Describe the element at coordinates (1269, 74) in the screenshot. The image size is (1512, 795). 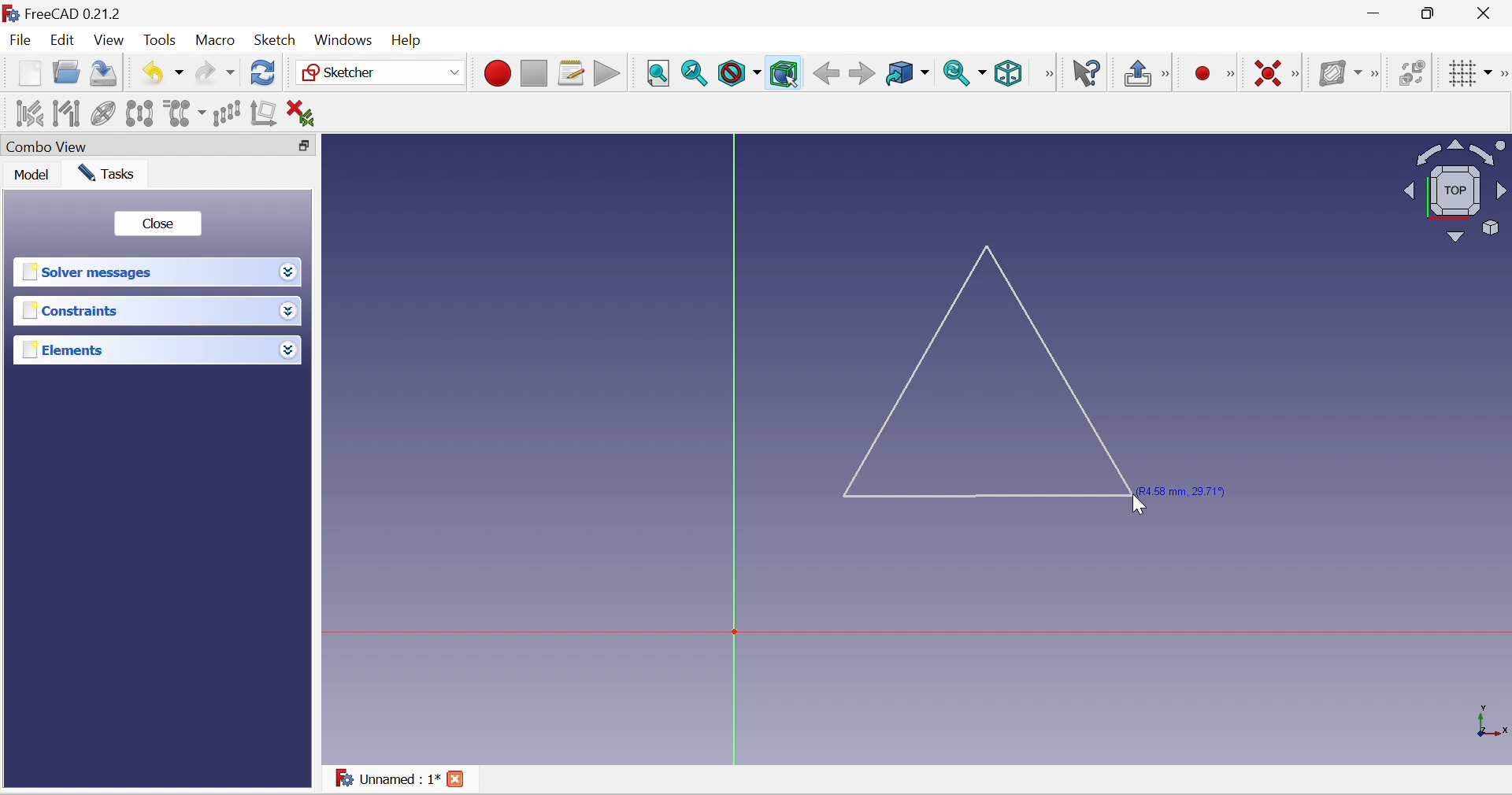
I see `Constrain coincident` at that location.